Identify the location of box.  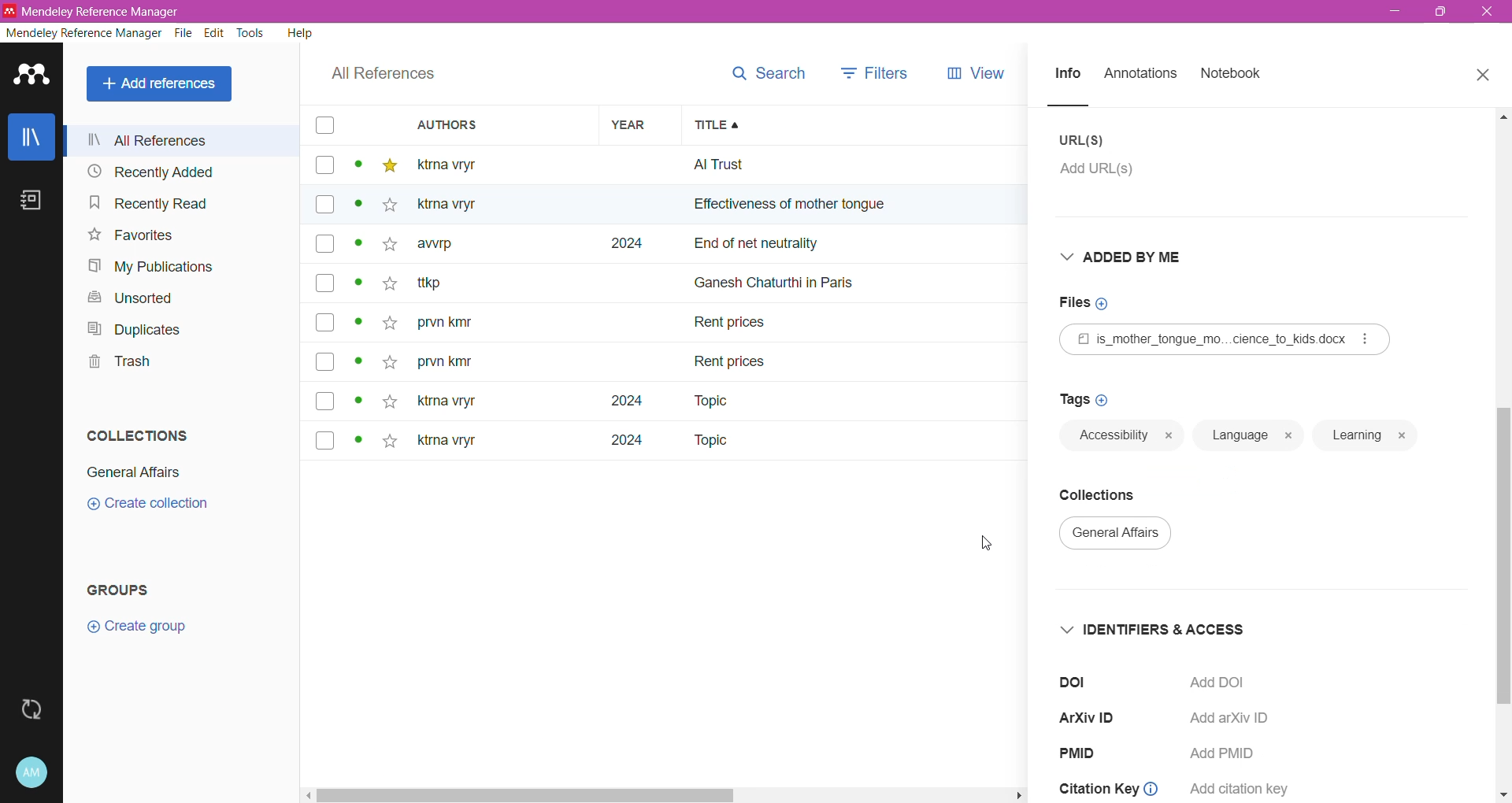
(325, 439).